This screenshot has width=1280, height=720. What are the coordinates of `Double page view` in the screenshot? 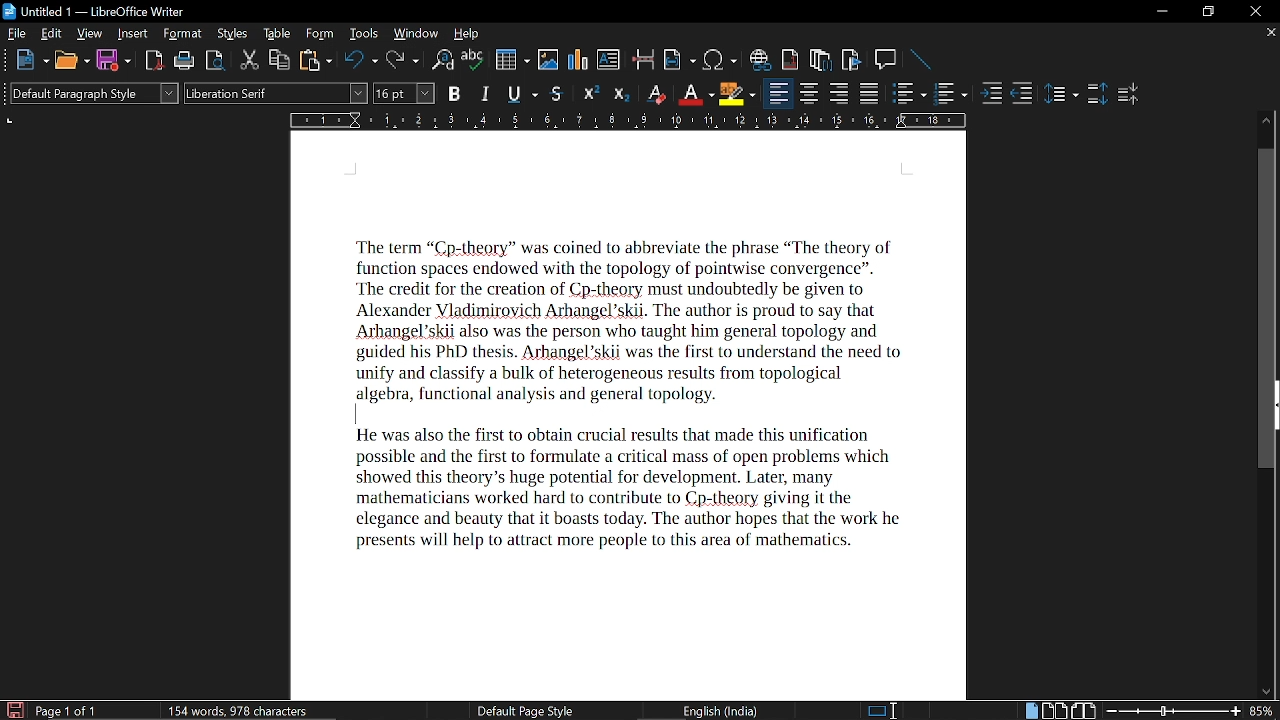 It's located at (1056, 710).